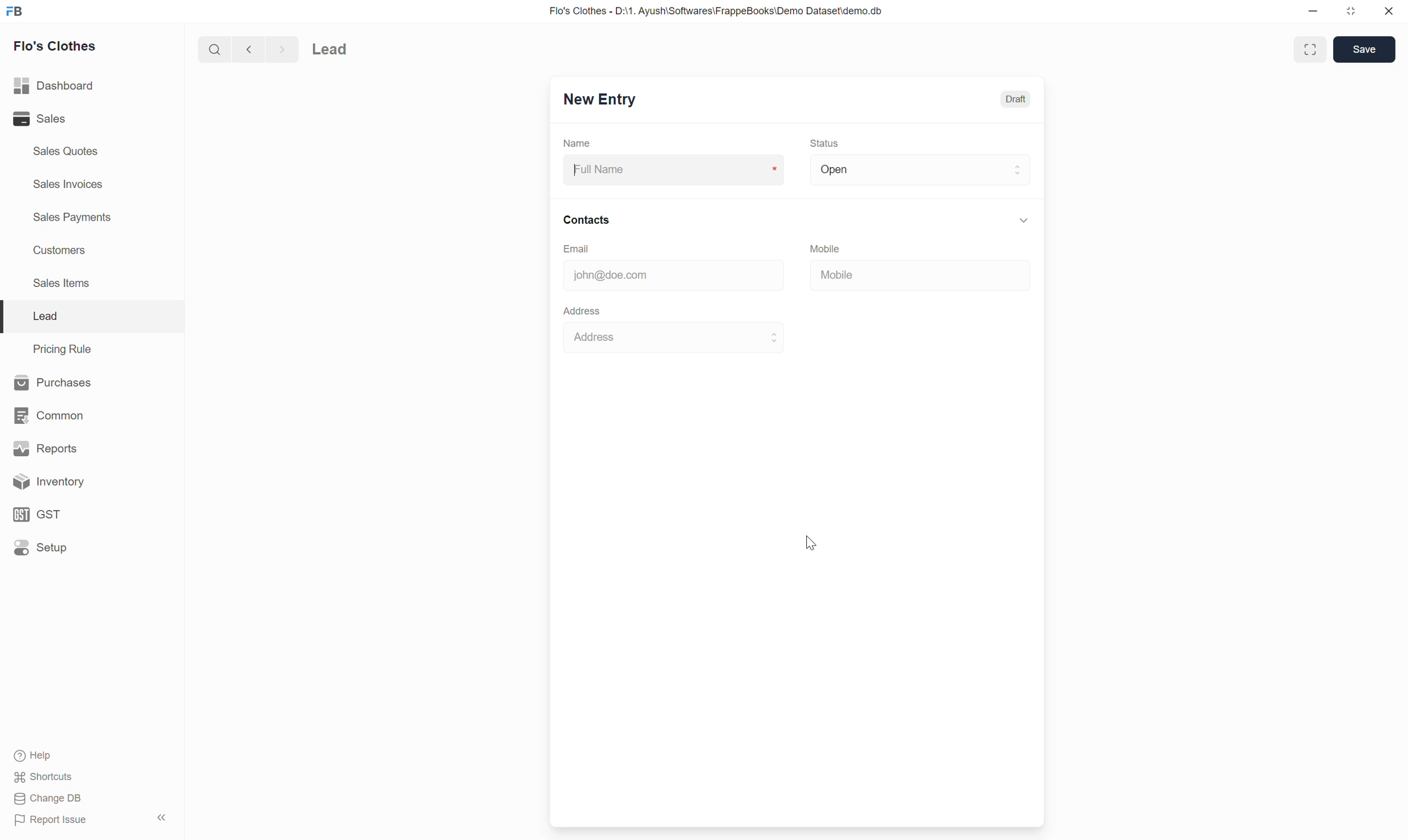 This screenshot has height=840, width=1408. Describe the element at coordinates (41, 447) in the screenshot. I see ` Reports` at that location.